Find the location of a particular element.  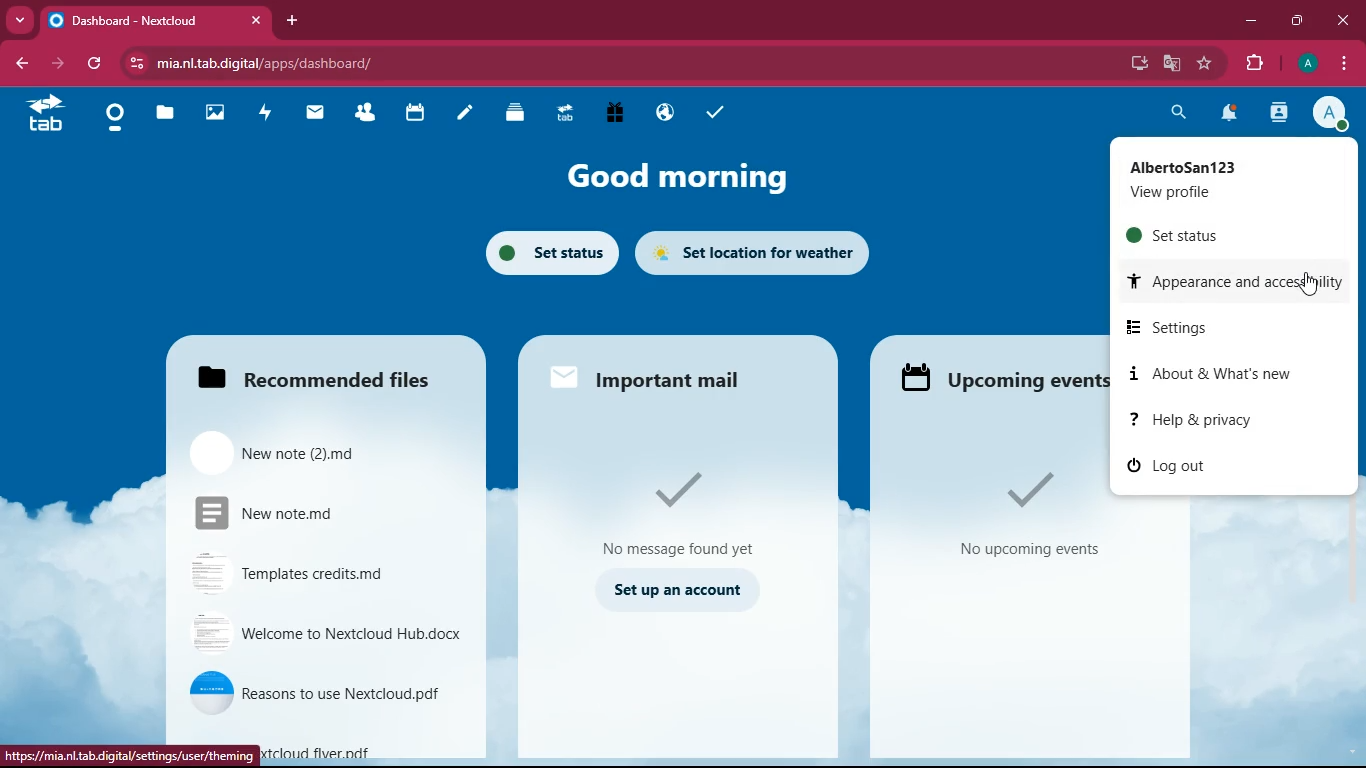

url is located at coordinates (363, 61).